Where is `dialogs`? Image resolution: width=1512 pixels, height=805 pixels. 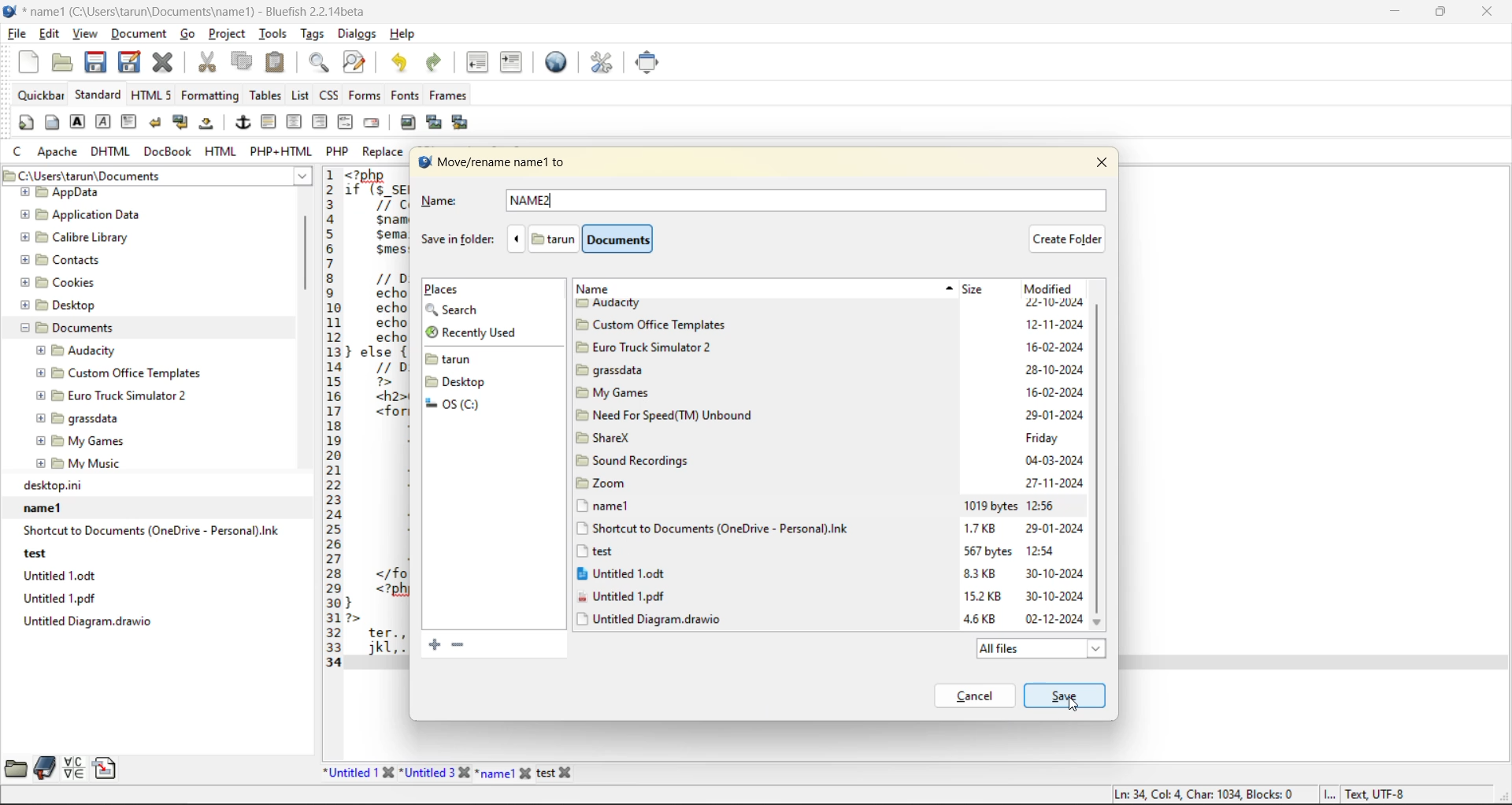 dialogs is located at coordinates (357, 35).